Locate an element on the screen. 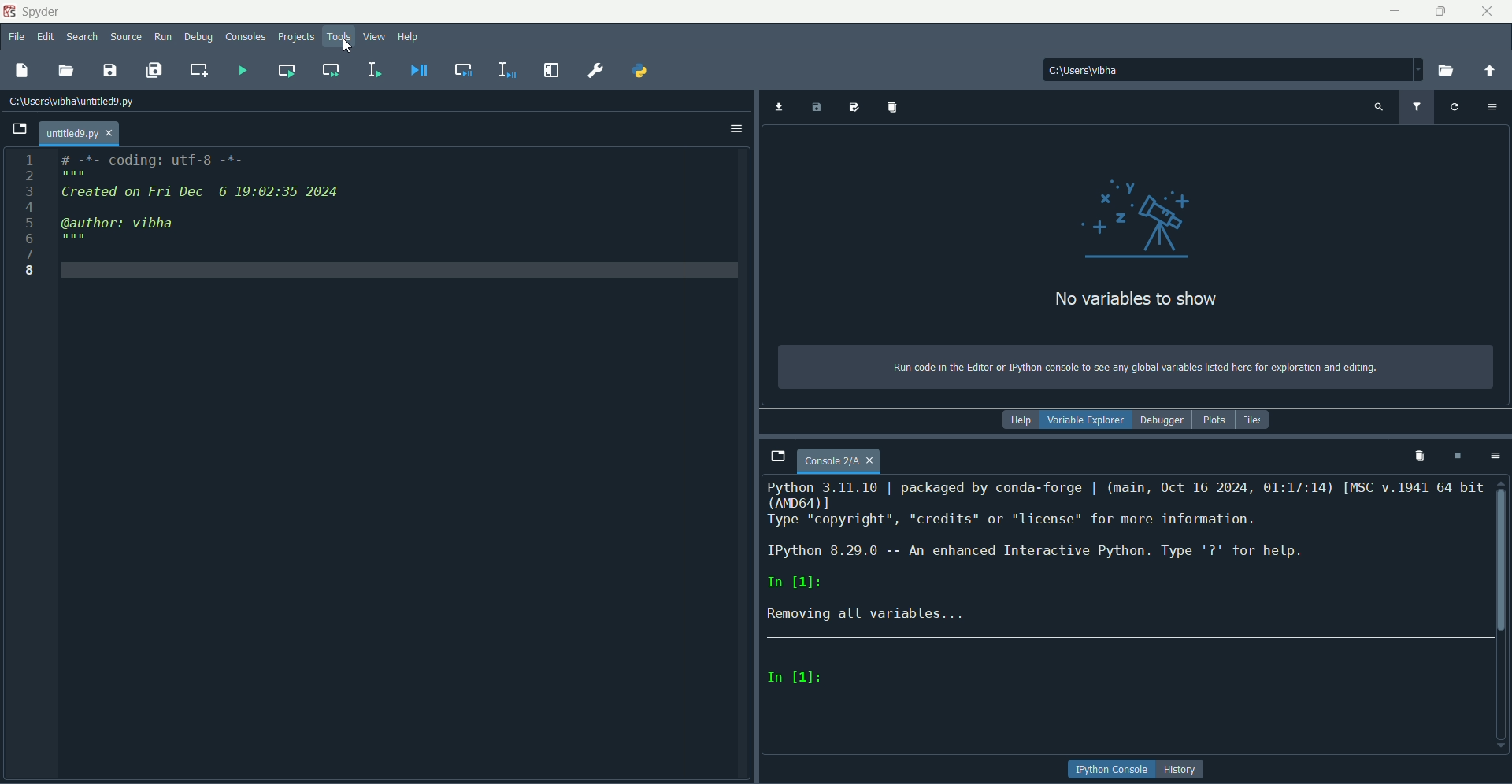 This screenshot has width=1512, height=784. file name is located at coordinates (839, 462).